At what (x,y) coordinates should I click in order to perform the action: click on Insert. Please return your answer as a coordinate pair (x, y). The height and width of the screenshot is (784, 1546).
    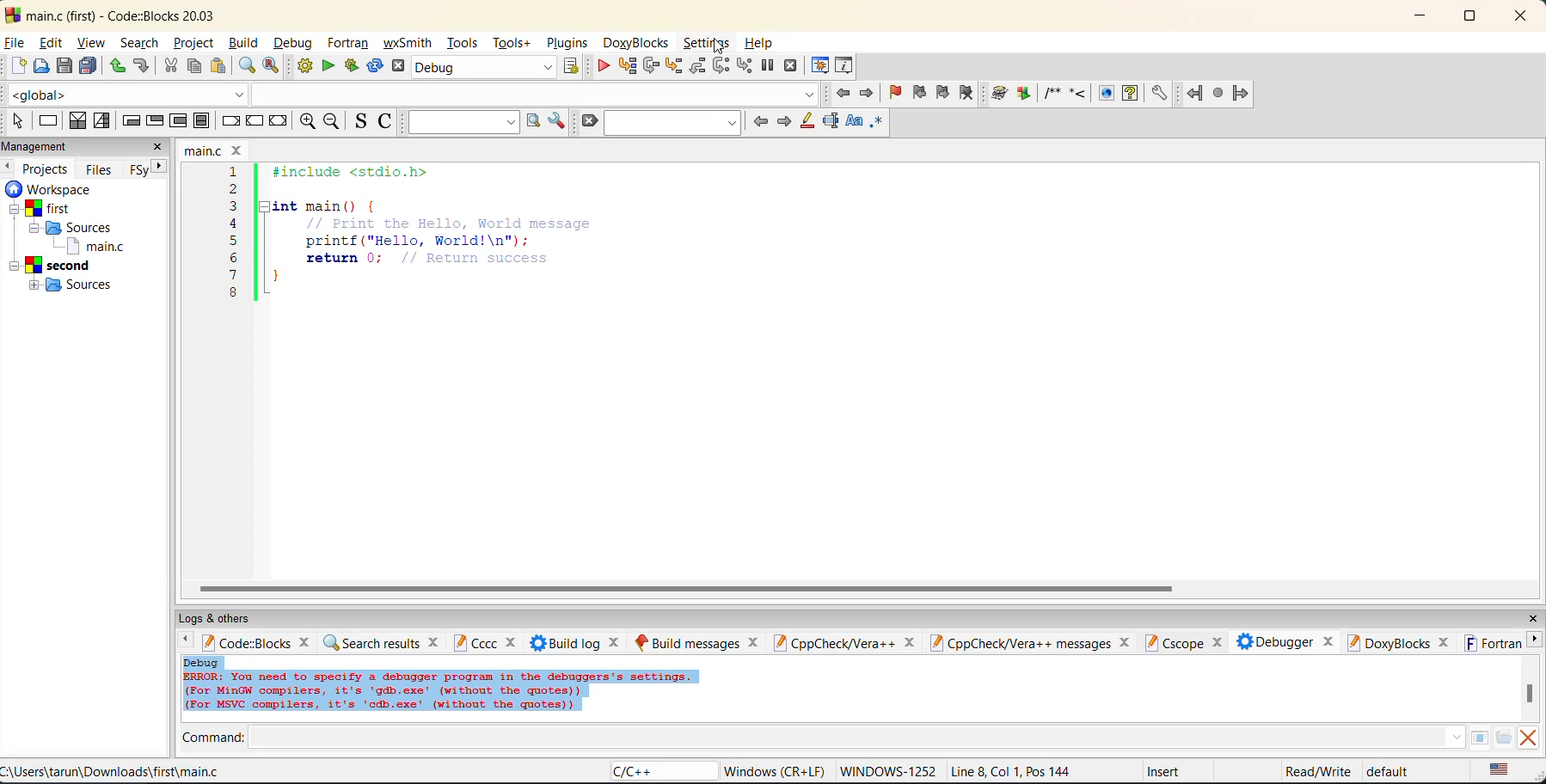
    Looking at the image, I should click on (1162, 770).